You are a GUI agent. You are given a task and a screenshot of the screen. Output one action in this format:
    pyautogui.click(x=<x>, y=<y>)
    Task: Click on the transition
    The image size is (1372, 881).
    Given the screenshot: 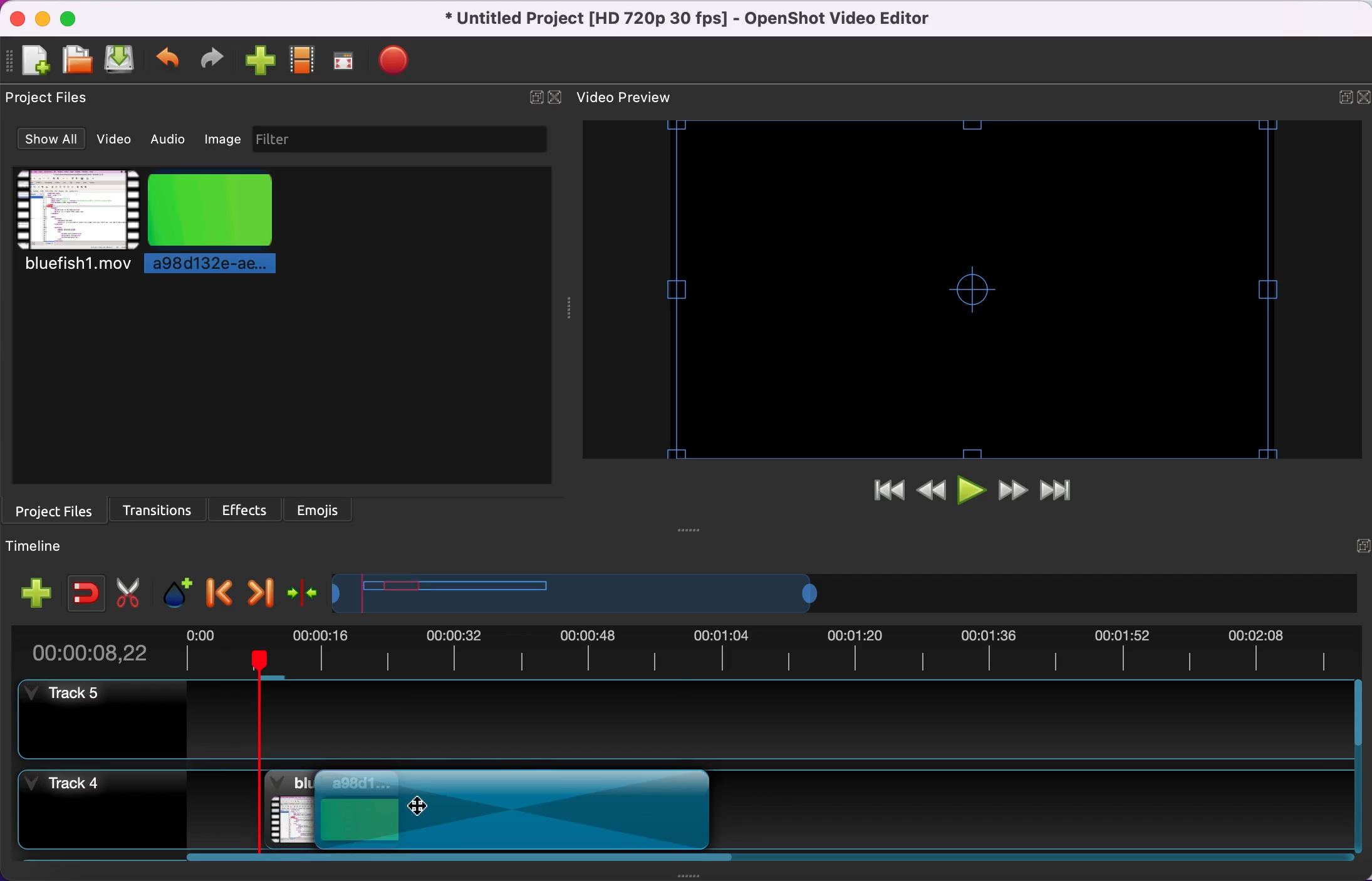 What is the action you would take?
    pyautogui.click(x=525, y=806)
    